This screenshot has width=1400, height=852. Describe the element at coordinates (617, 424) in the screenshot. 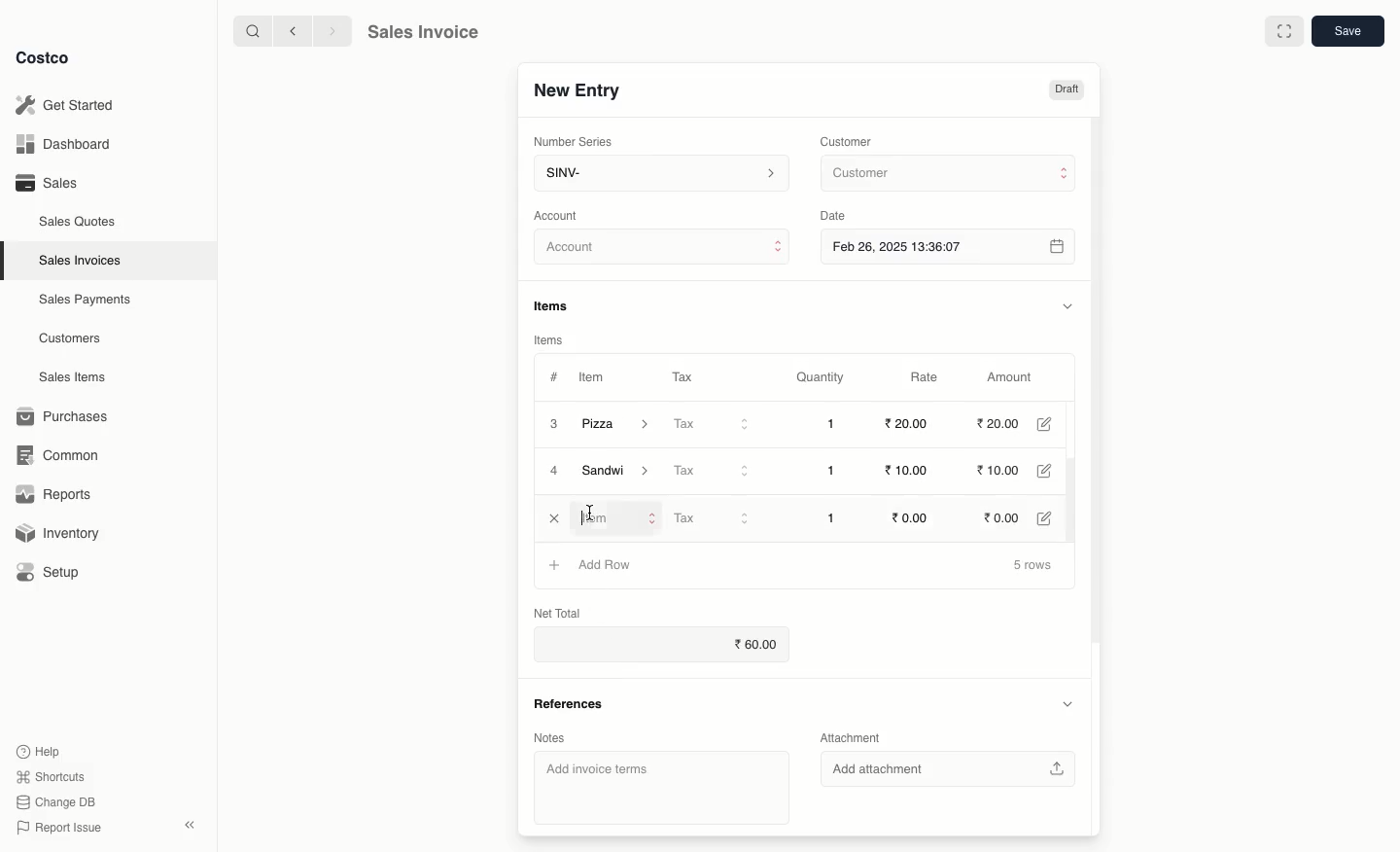

I see `Pizza` at that location.